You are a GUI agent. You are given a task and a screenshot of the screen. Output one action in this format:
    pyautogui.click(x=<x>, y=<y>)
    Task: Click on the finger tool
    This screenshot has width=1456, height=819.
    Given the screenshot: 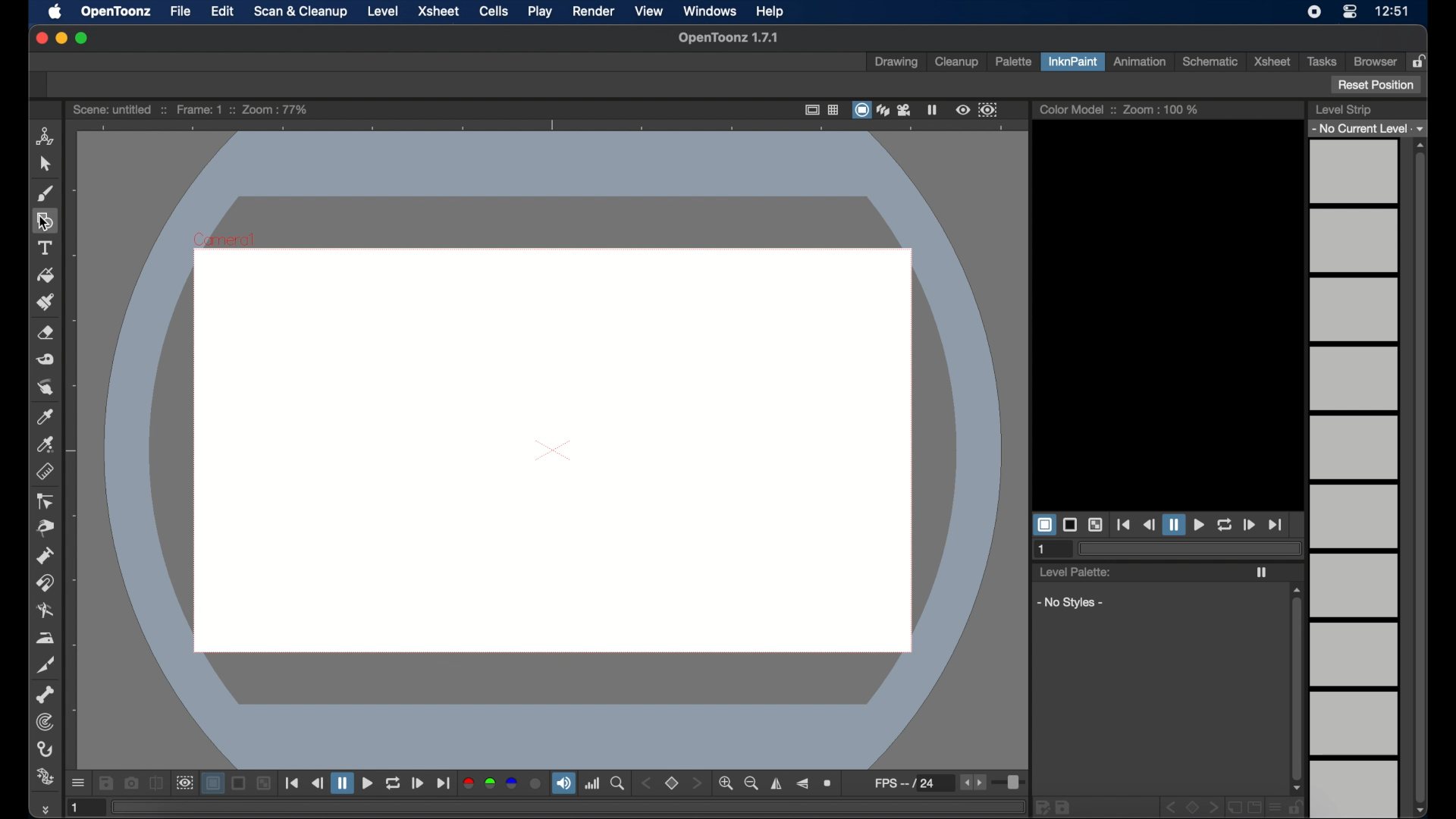 What is the action you would take?
    pyautogui.click(x=45, y=388)
    